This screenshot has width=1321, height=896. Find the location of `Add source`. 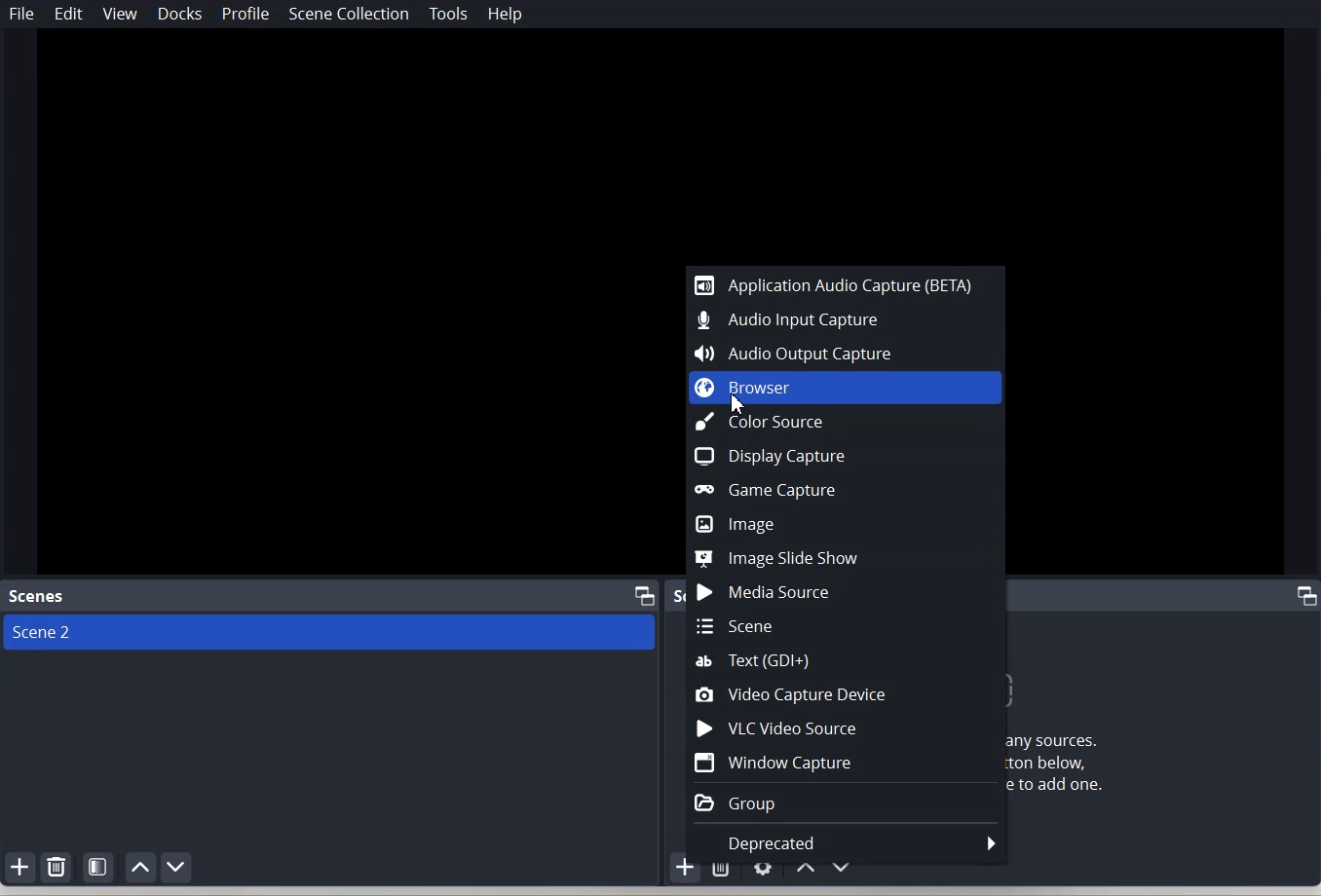

Add source is located at coordinates (689, 873).